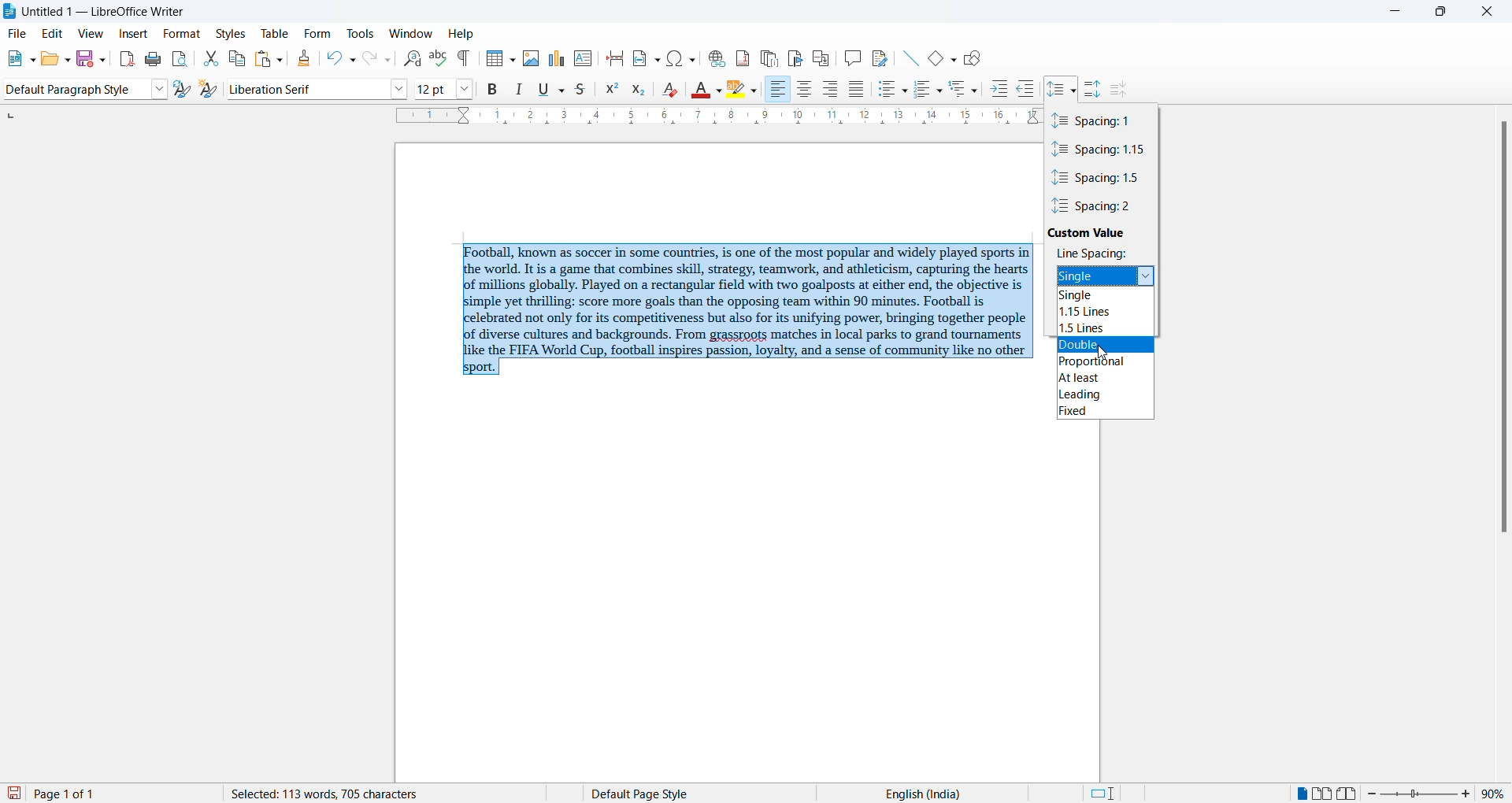 The image size is (1512, 803). What do you see at coordinates (1111, 329) in the screenshot?
I see `1.5 lines` at bounding box center [1111, 329].